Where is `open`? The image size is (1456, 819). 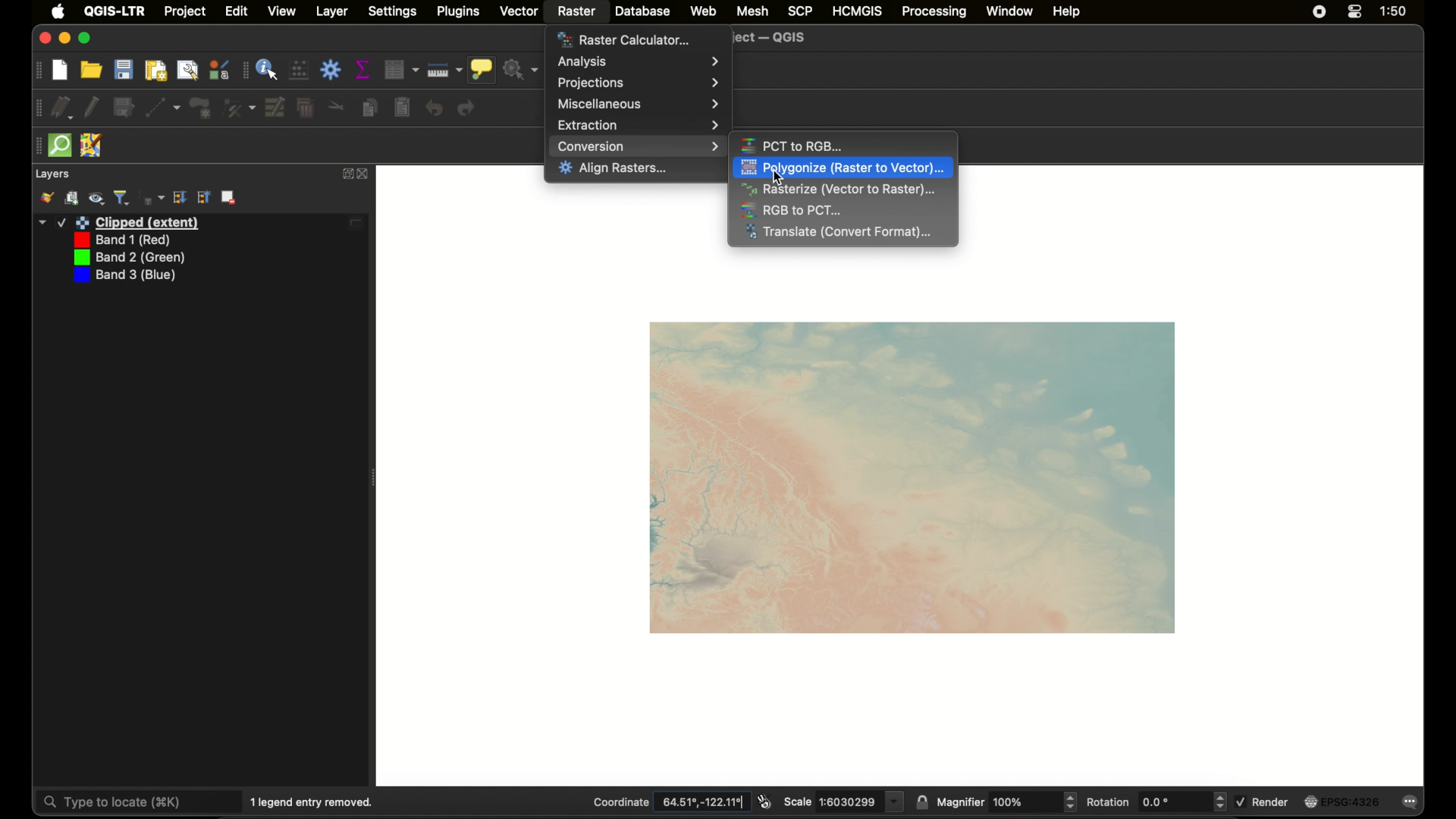
open is located at coordinates (91, 69).